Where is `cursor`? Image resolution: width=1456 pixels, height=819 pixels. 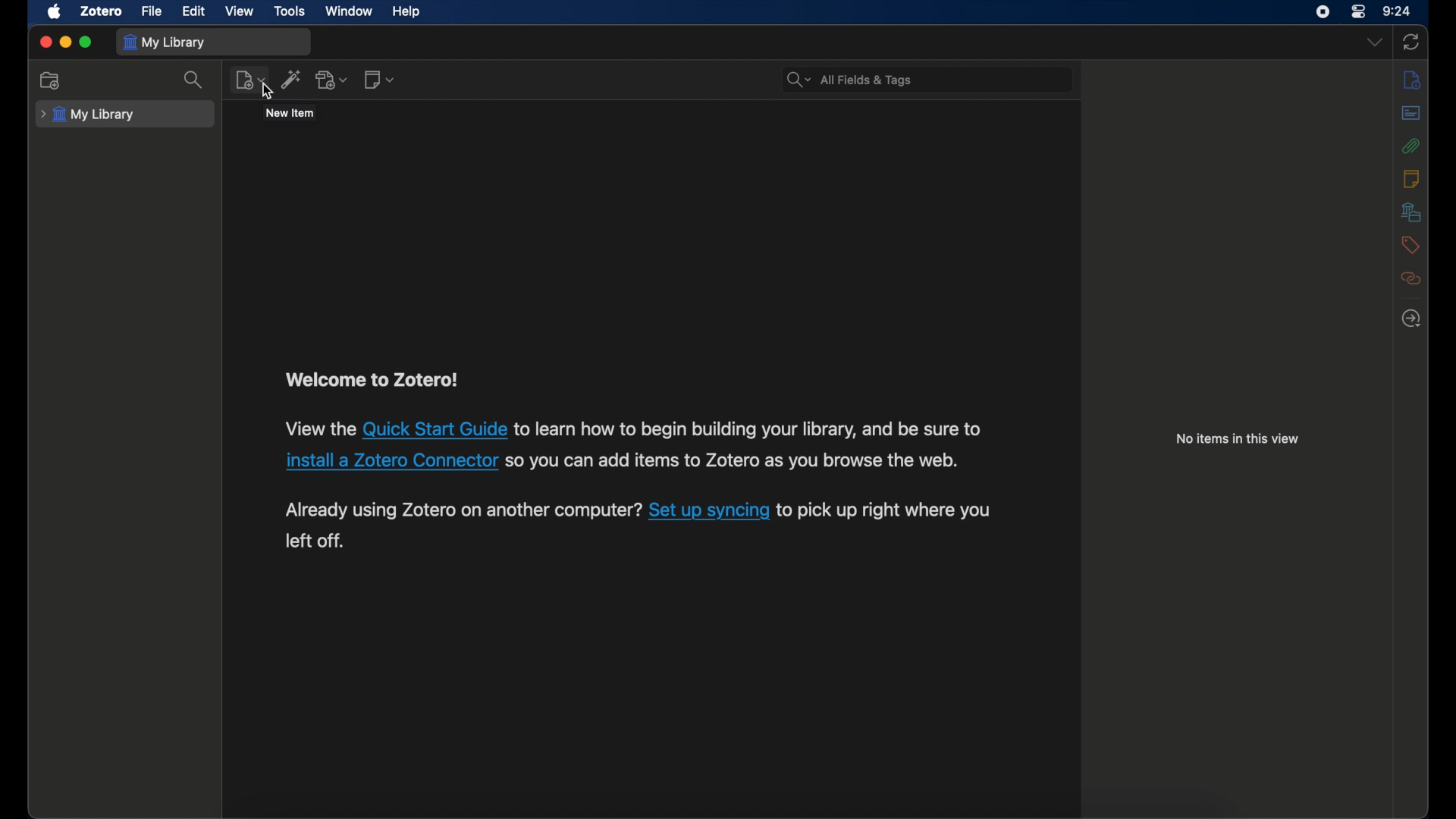 cursor is located at coordinates (268, 92).